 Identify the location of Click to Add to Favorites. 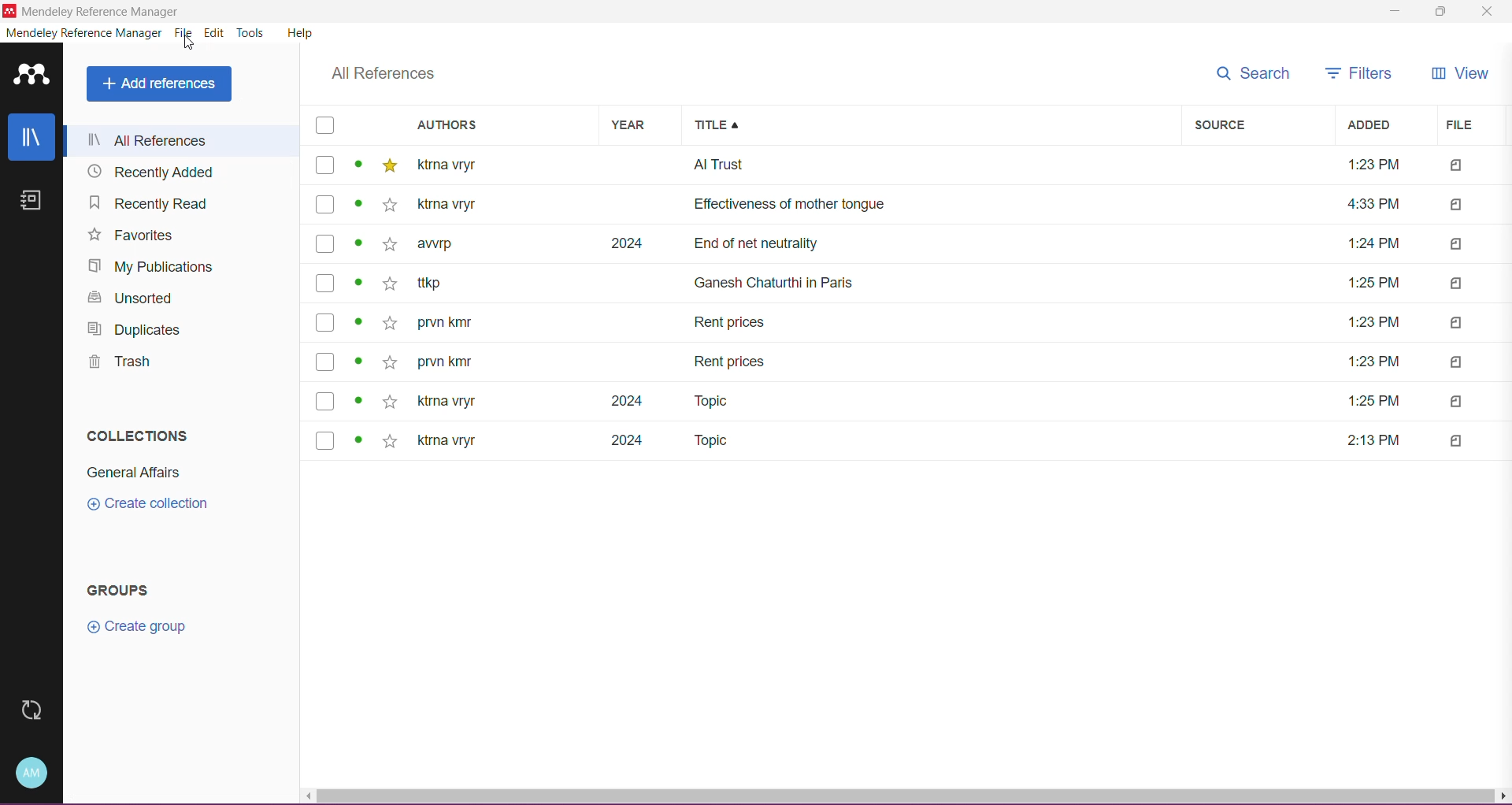
(392, 303).